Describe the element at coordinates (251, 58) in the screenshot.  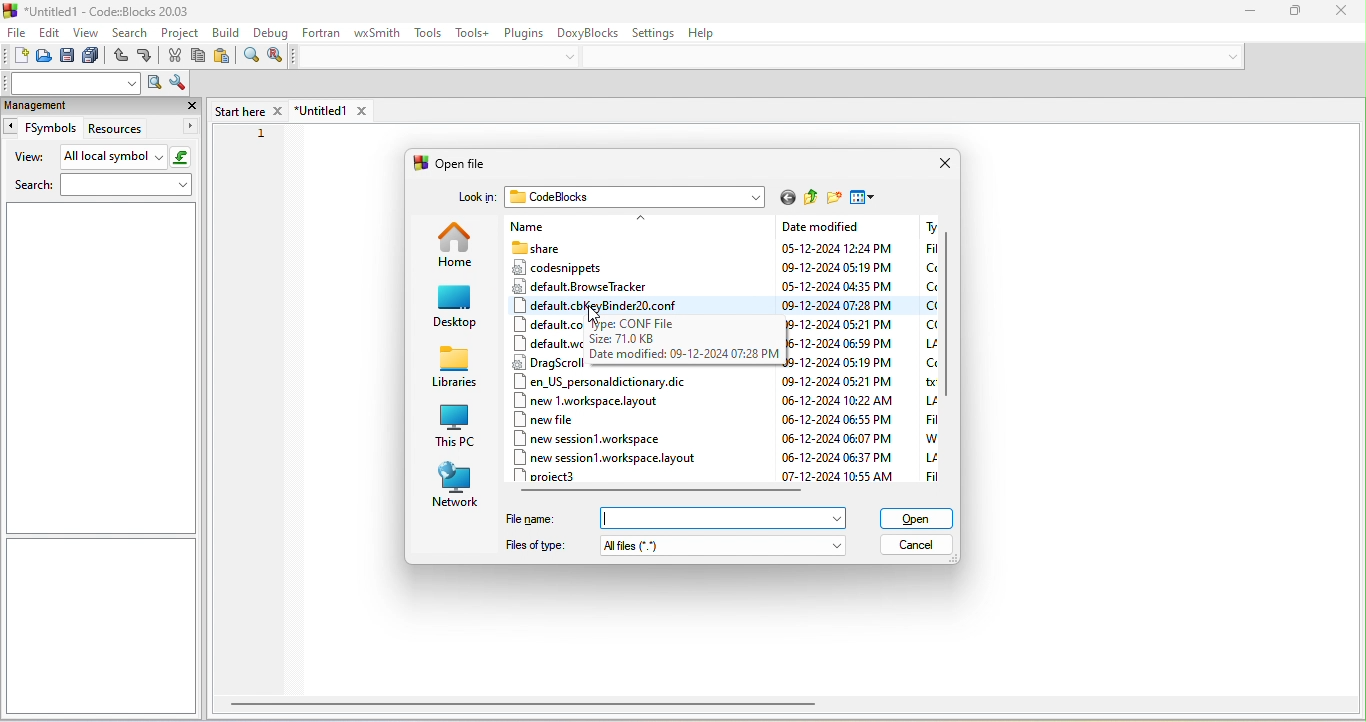
I see `find` at that location.